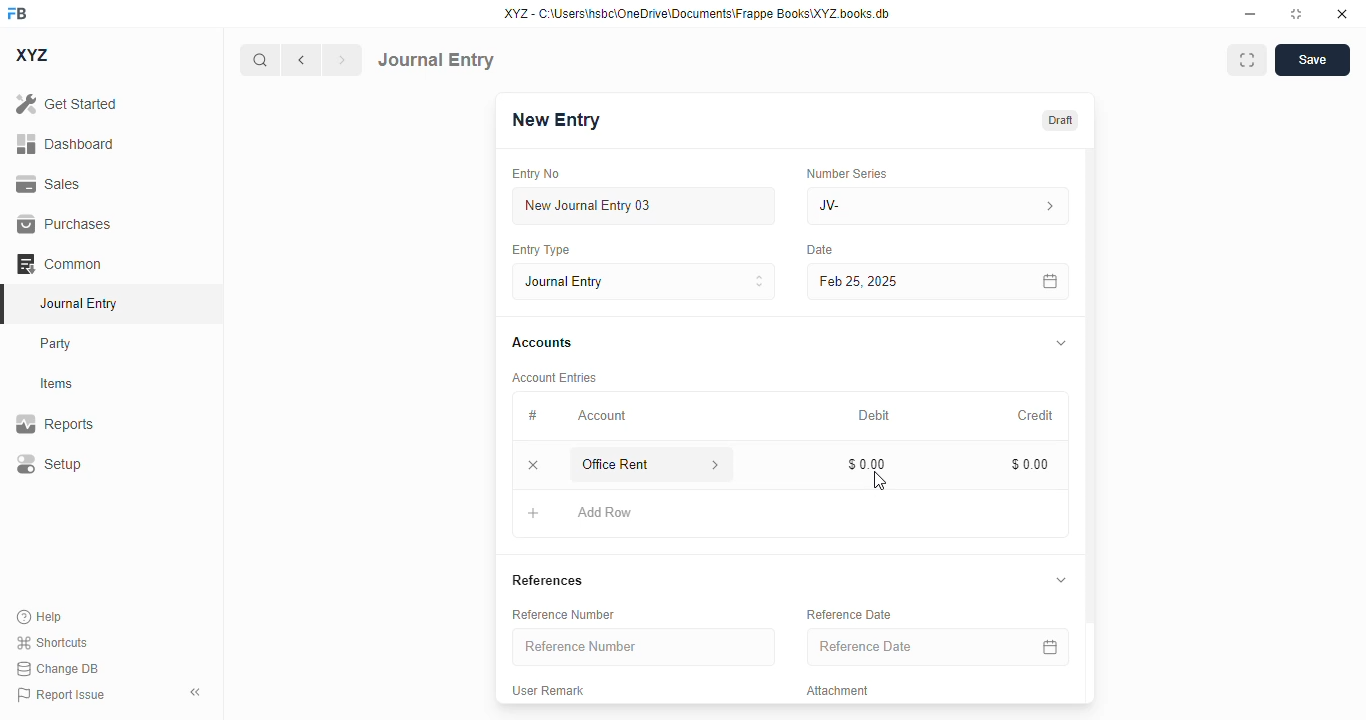 This screenshot has height=720, width=1366. I want to click on number series information, so click(1048, 207).